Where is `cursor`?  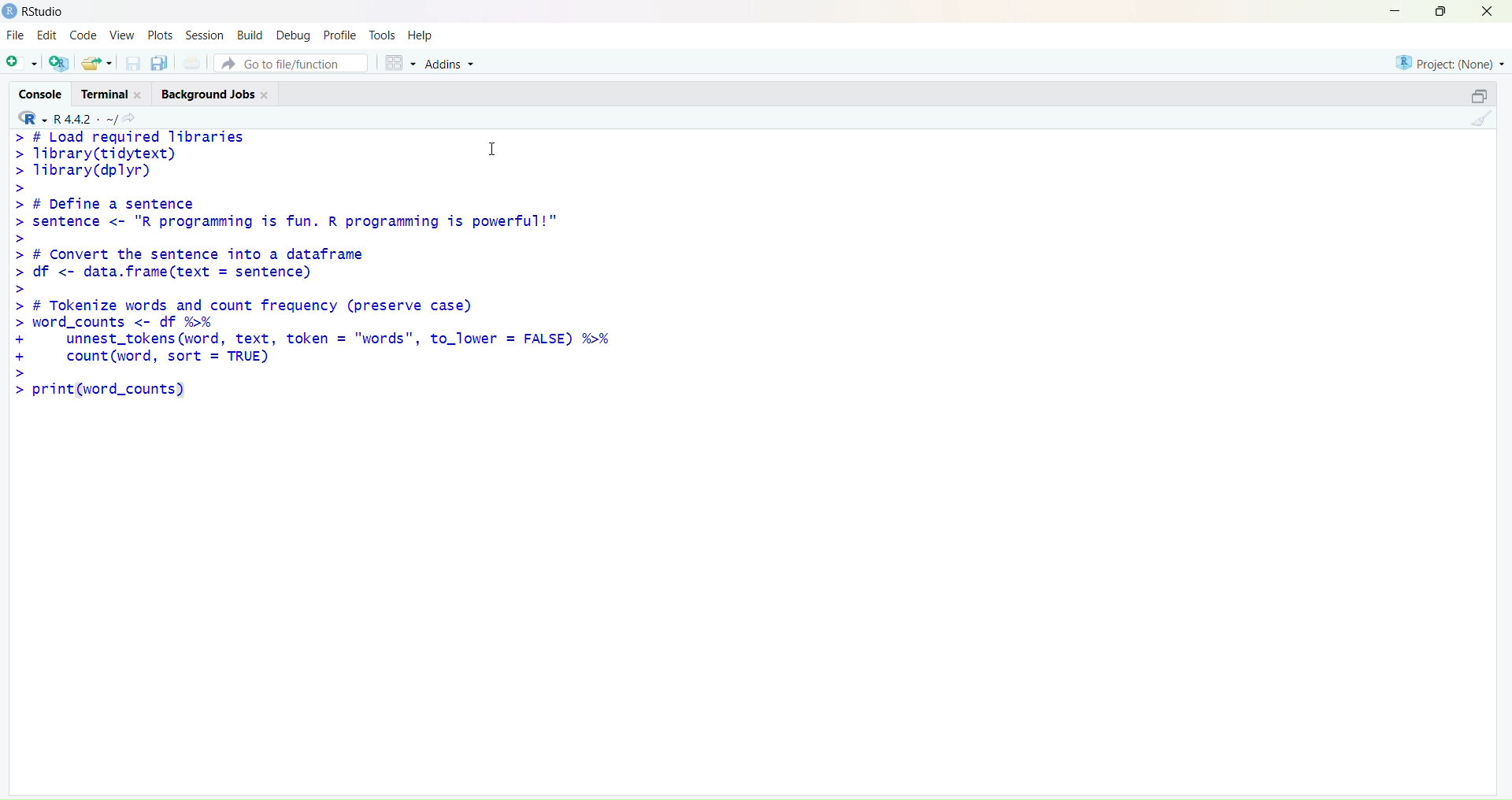
cursor is located at coordinates (494, 150).